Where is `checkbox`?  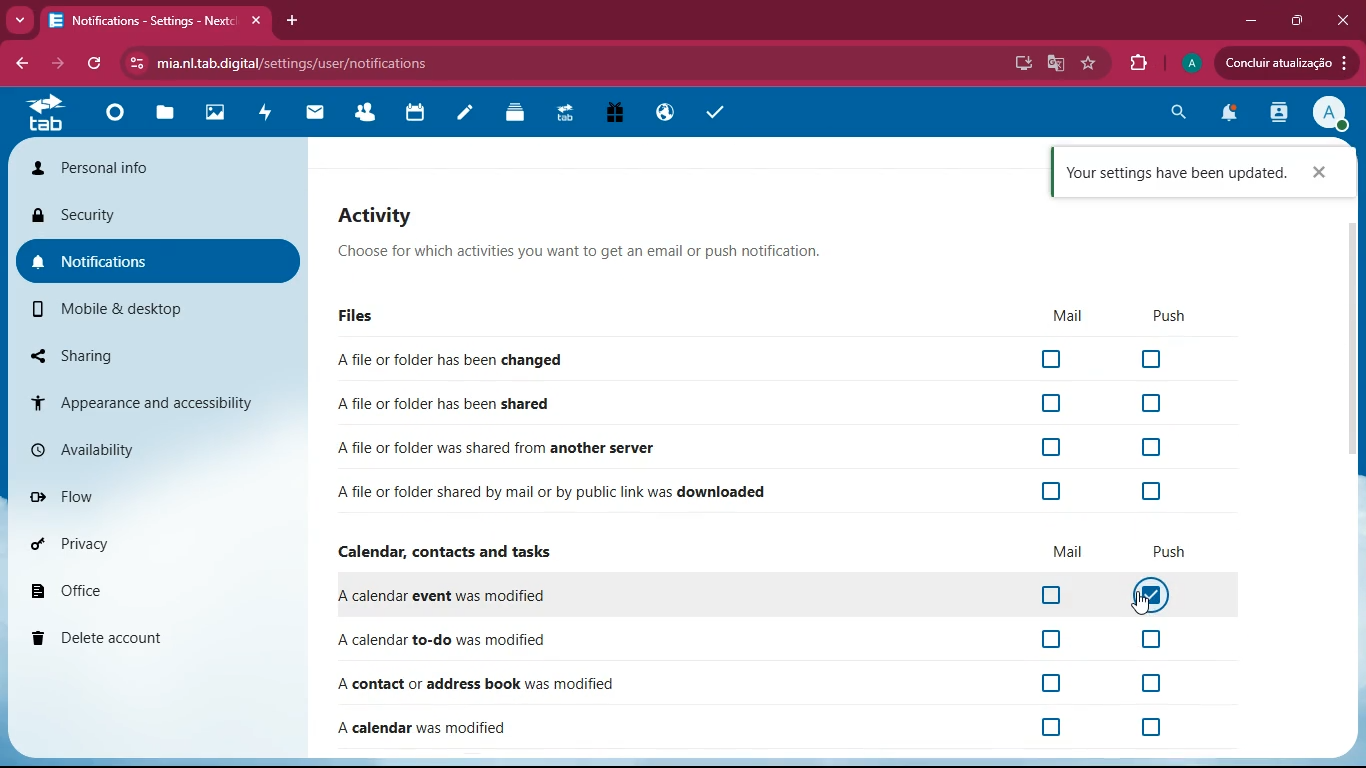
checkbox is located at coordinates (1050, 402).